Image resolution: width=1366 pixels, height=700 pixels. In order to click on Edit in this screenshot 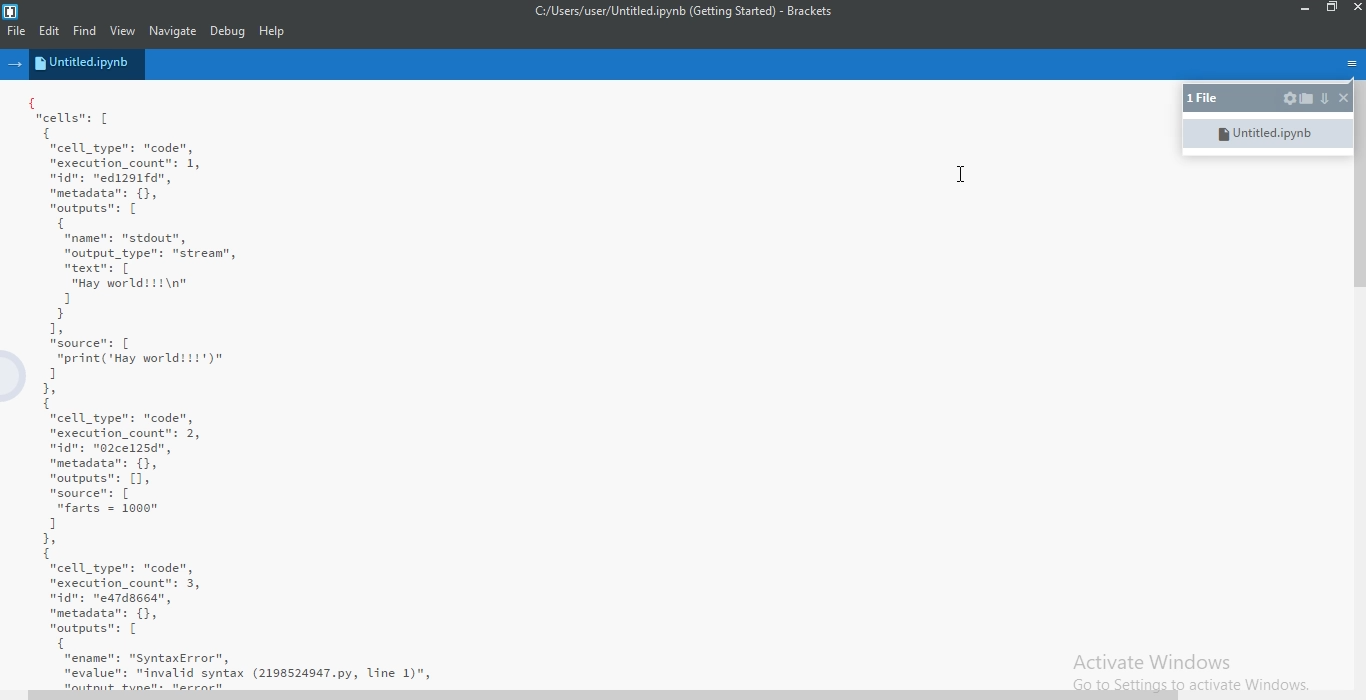, I will do `click(53, 31)`.